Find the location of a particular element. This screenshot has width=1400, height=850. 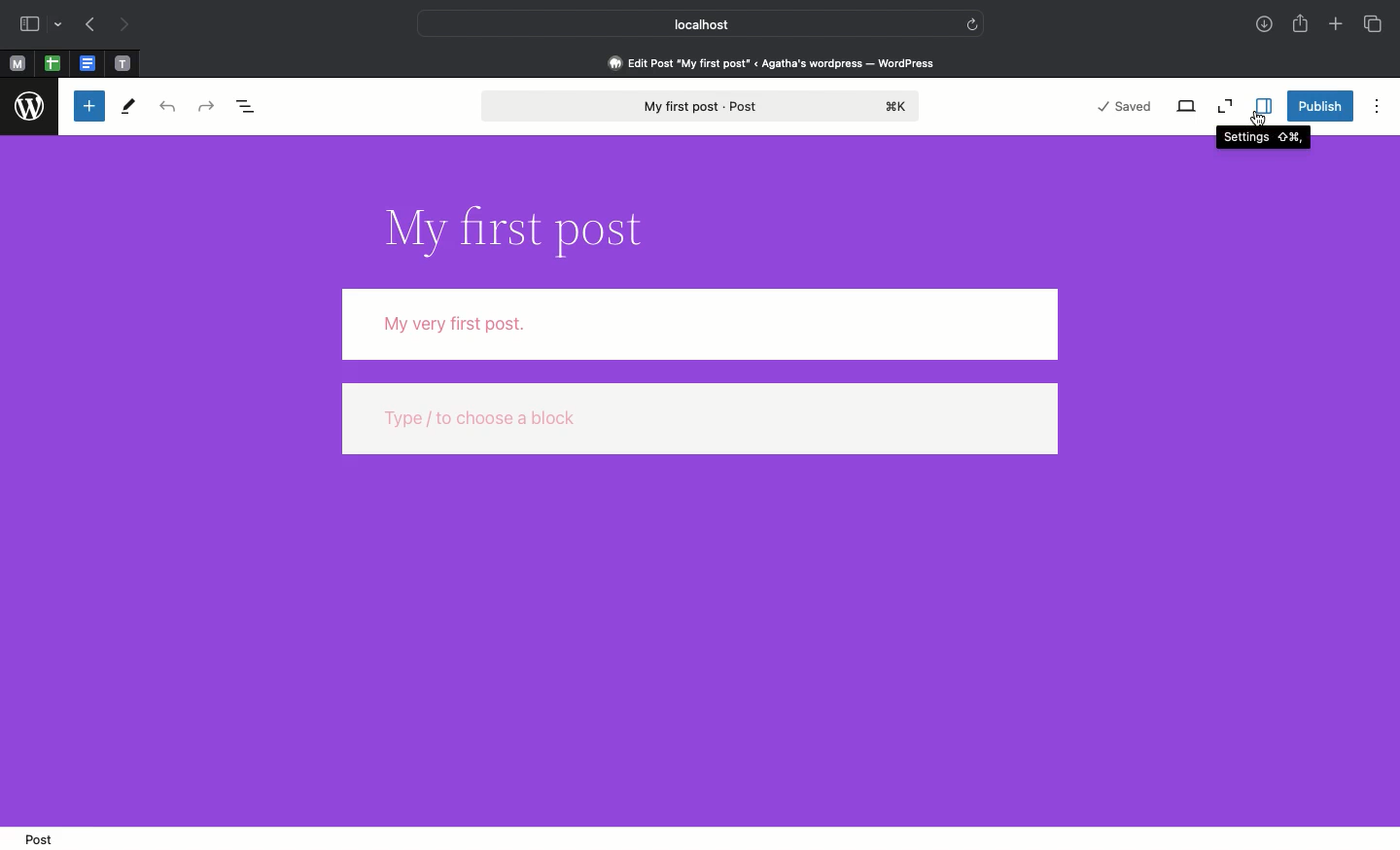

Publish is located at coordinates (1319, 105).